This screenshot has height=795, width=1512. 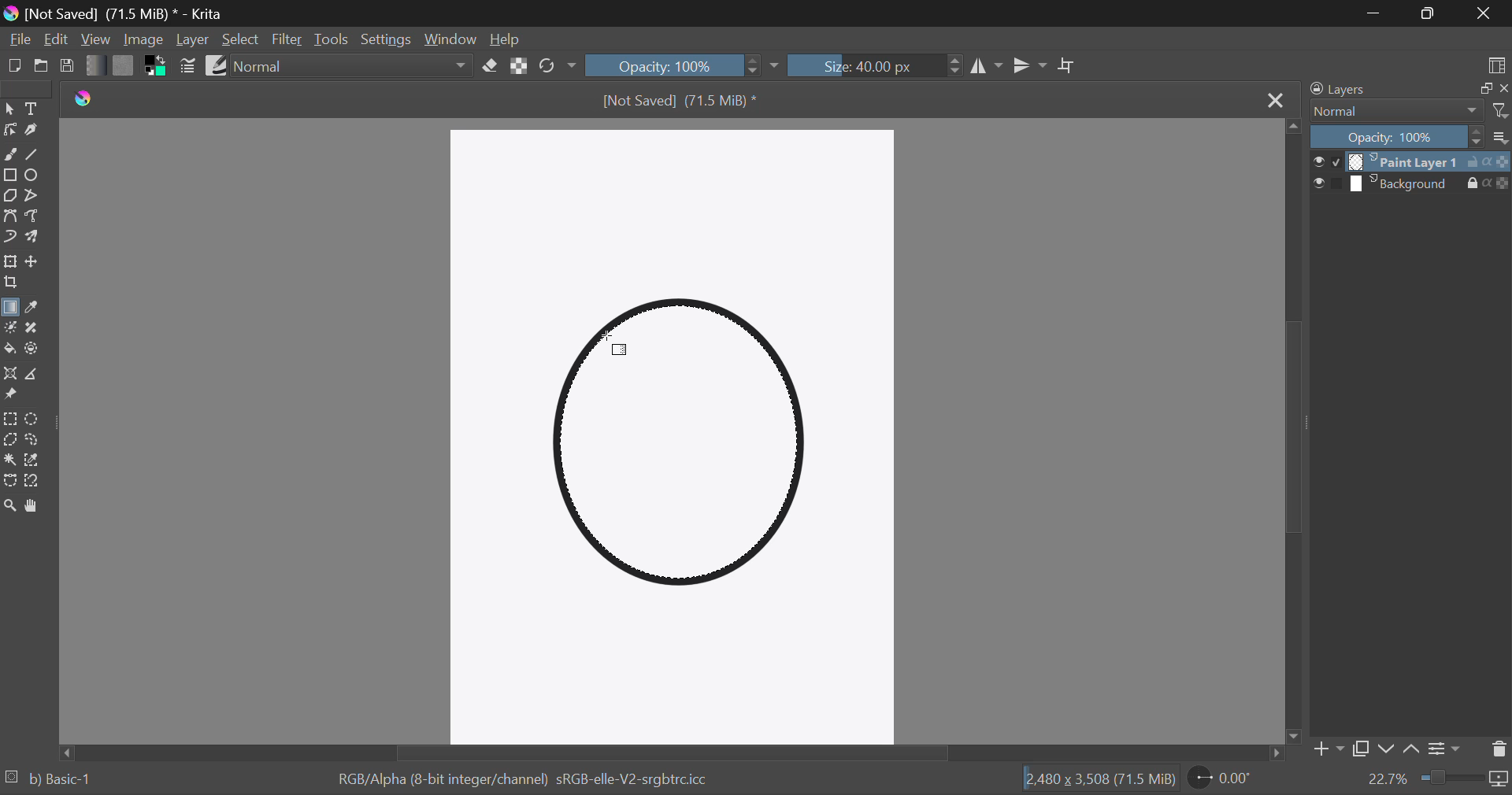 What do you see at coordinates (695, 442) in the screenshot?
I see `Shape Selected` at bounding box center [695, 442].